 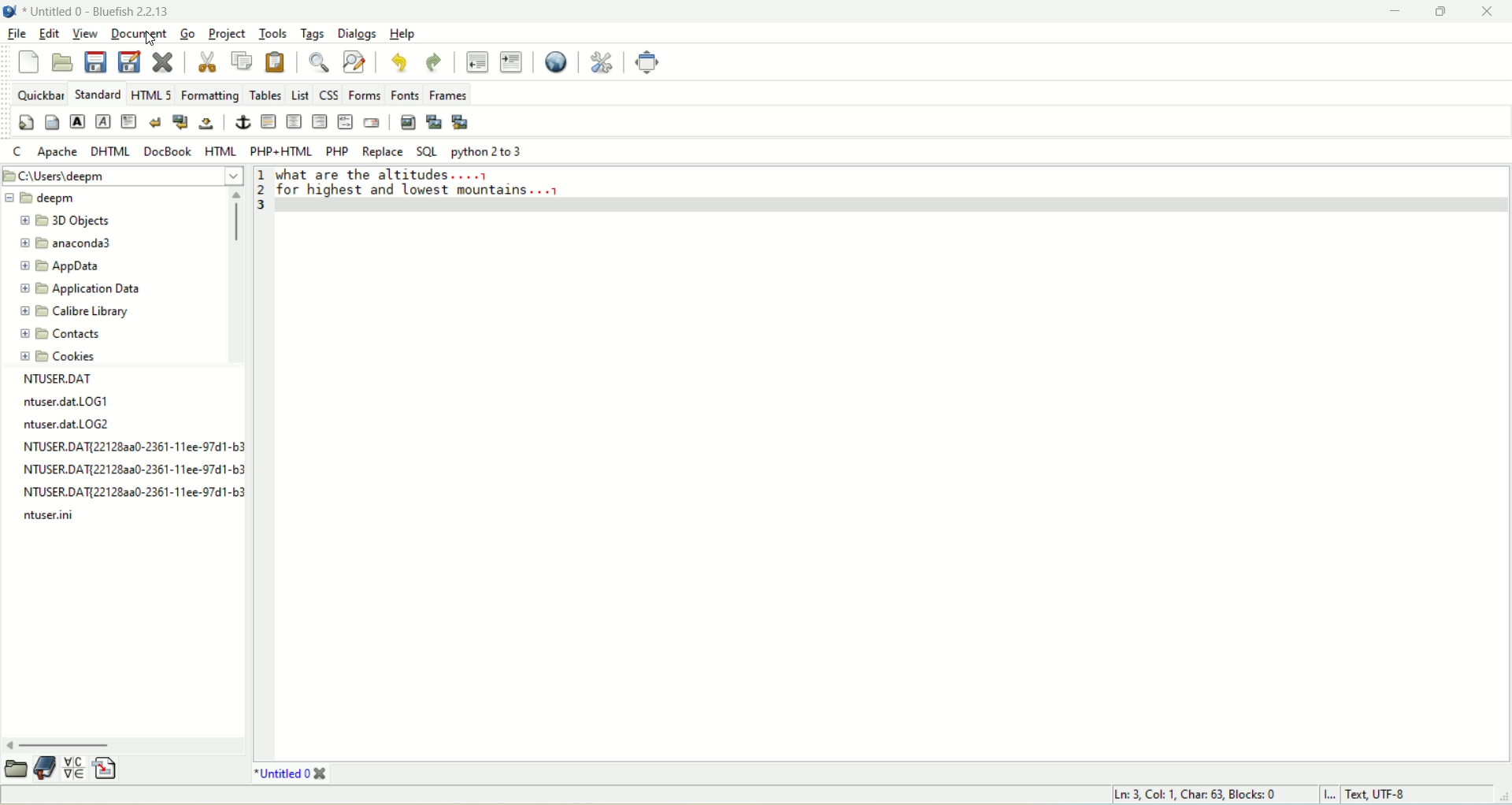 I want to click on documentation, so click(x=48, y=768).